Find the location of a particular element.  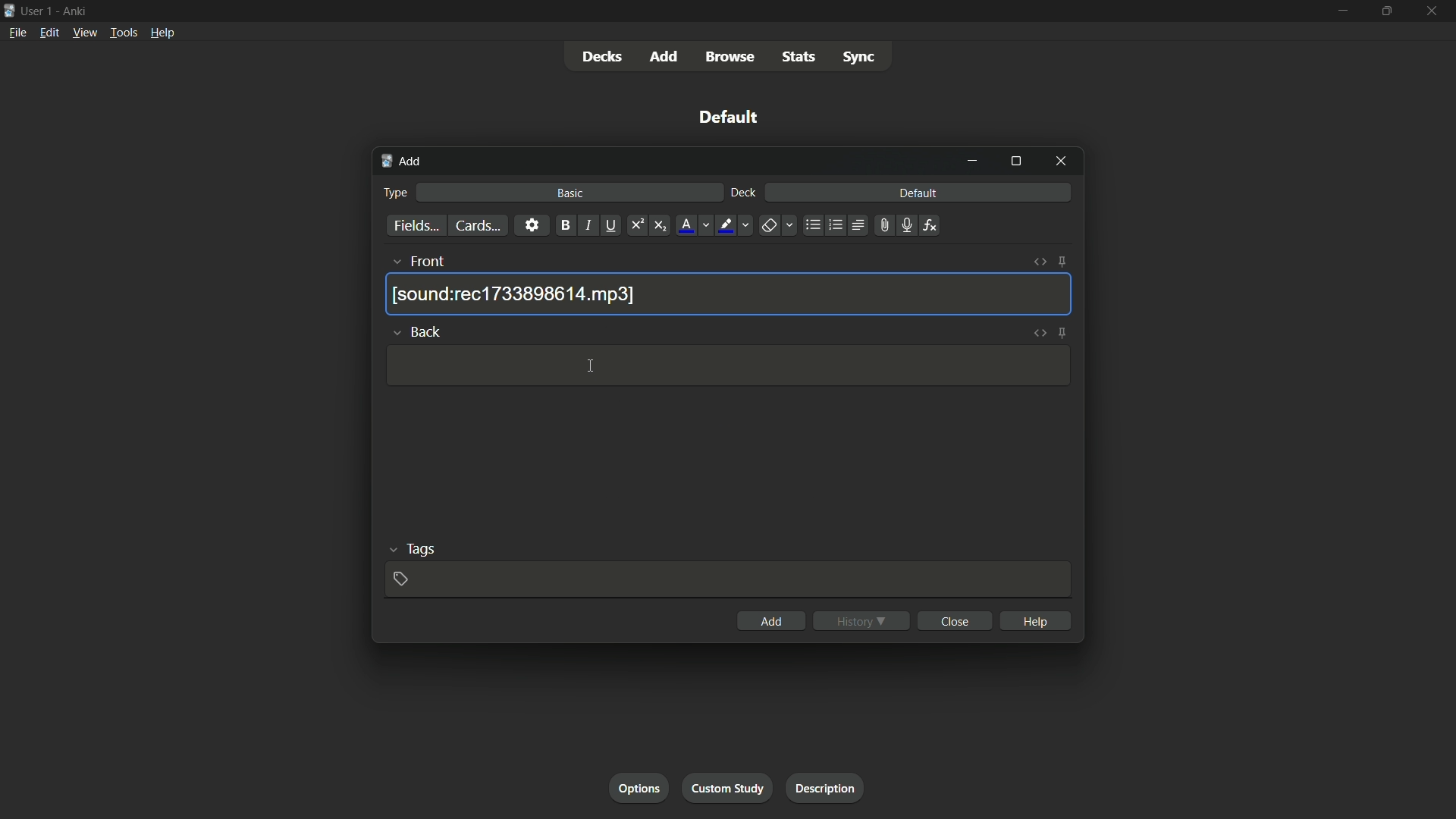

close app is located at coordinates (1433, 11).